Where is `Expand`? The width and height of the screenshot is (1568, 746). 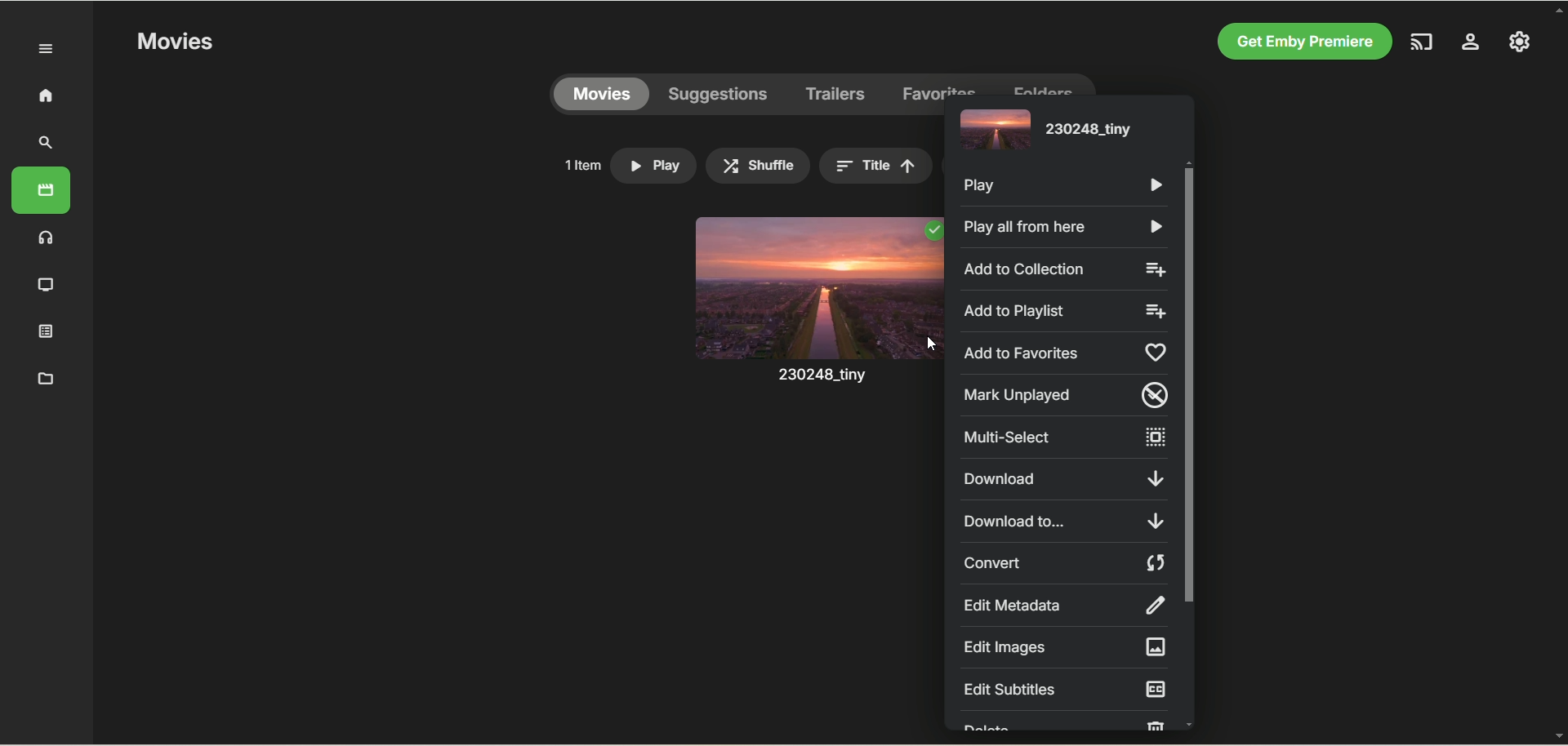
Expand is located at coordinates (47, 50).